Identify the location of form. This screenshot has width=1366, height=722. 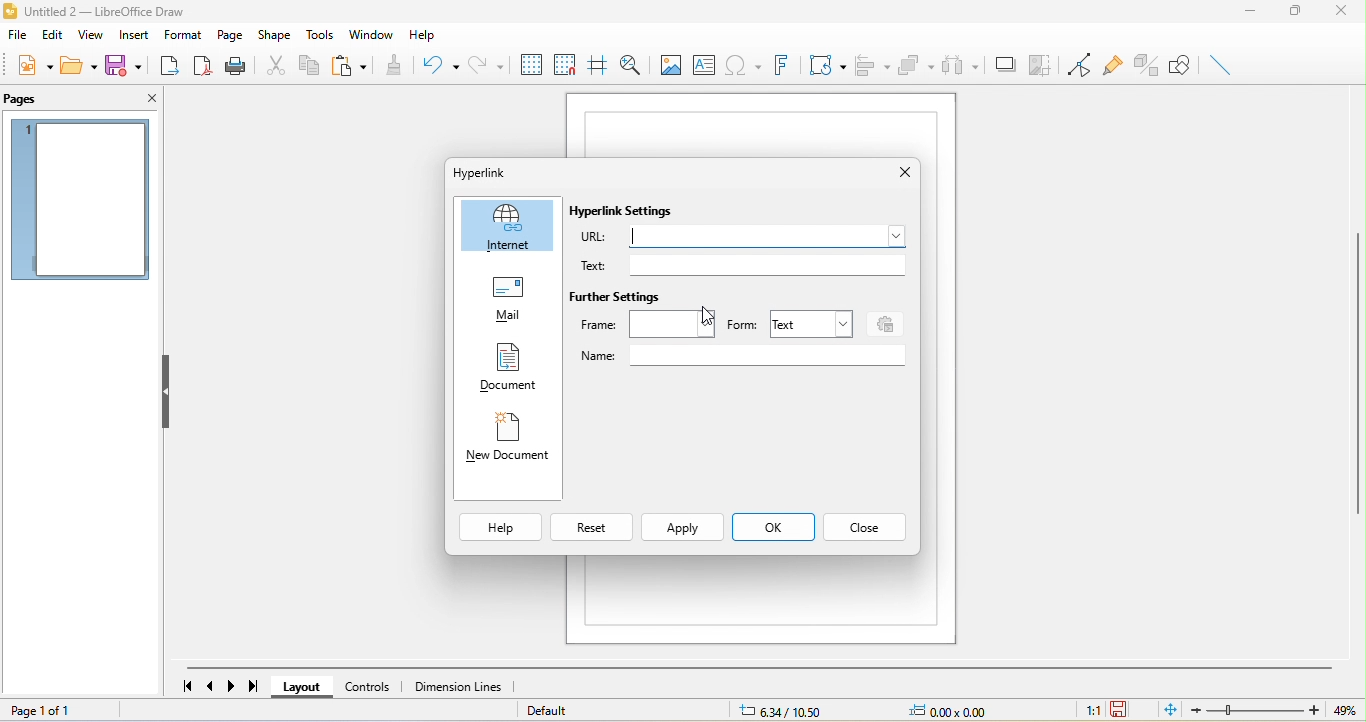
(742, 324).